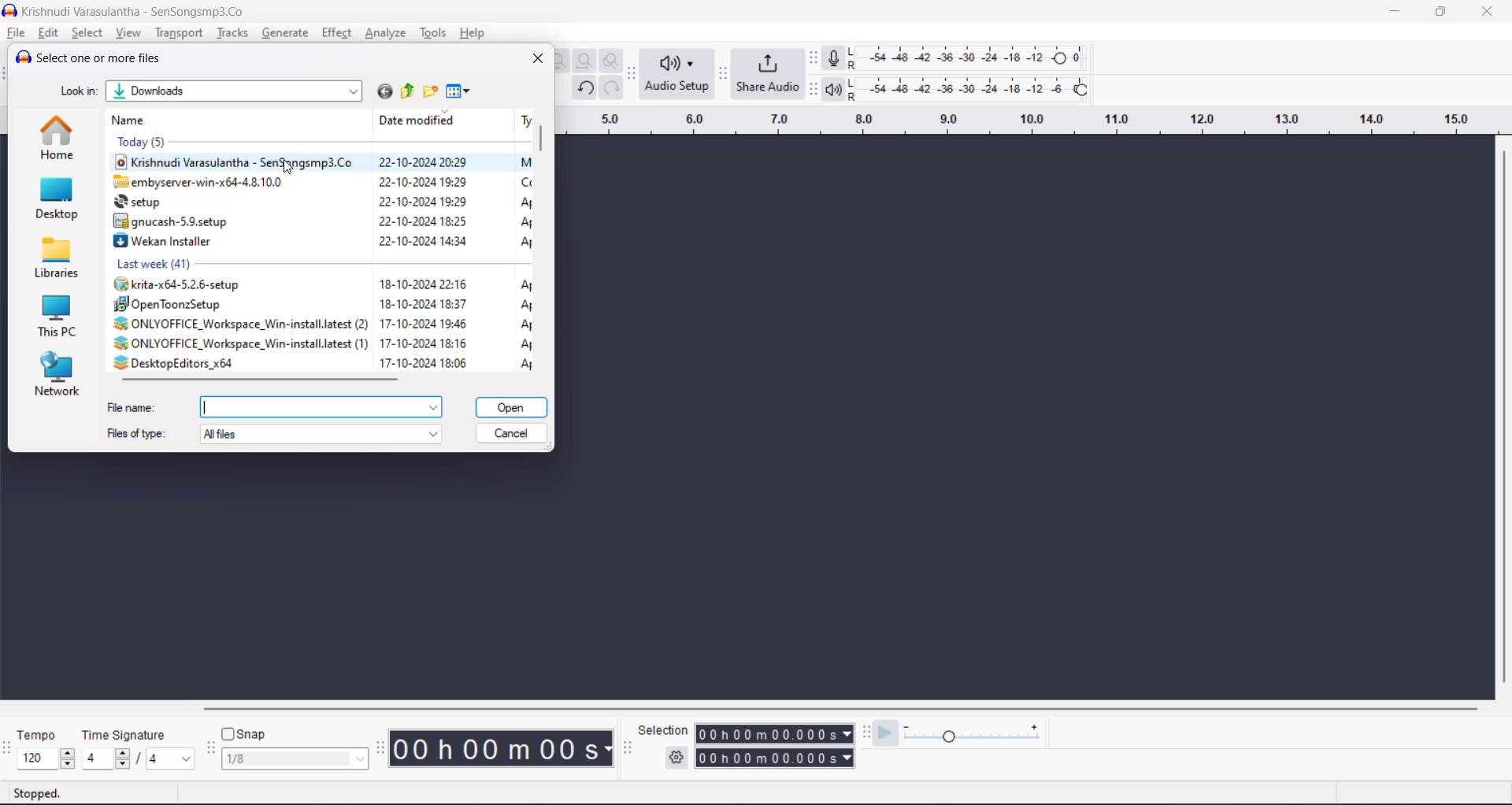  What do you see at coordinates (49, 33) in the screenshot?
I see `edit` at bounding box center [49, 33].